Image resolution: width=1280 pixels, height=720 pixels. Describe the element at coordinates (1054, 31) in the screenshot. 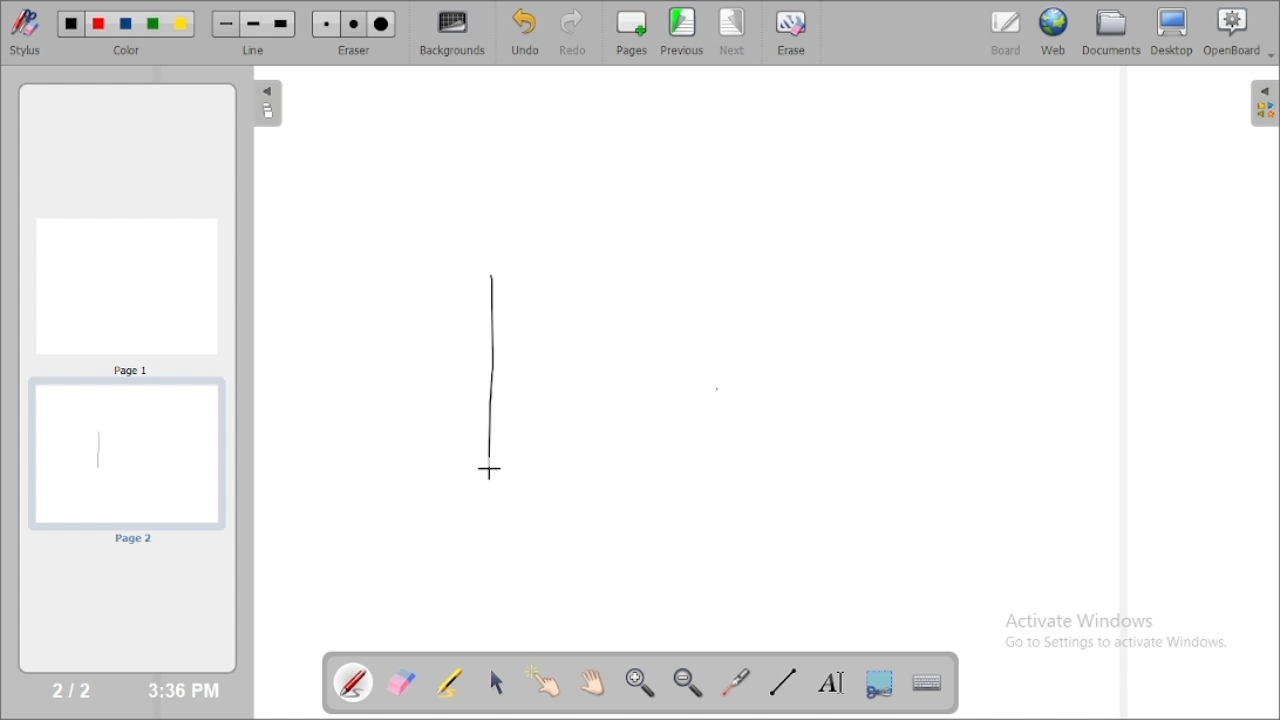

I see `web` at that location.